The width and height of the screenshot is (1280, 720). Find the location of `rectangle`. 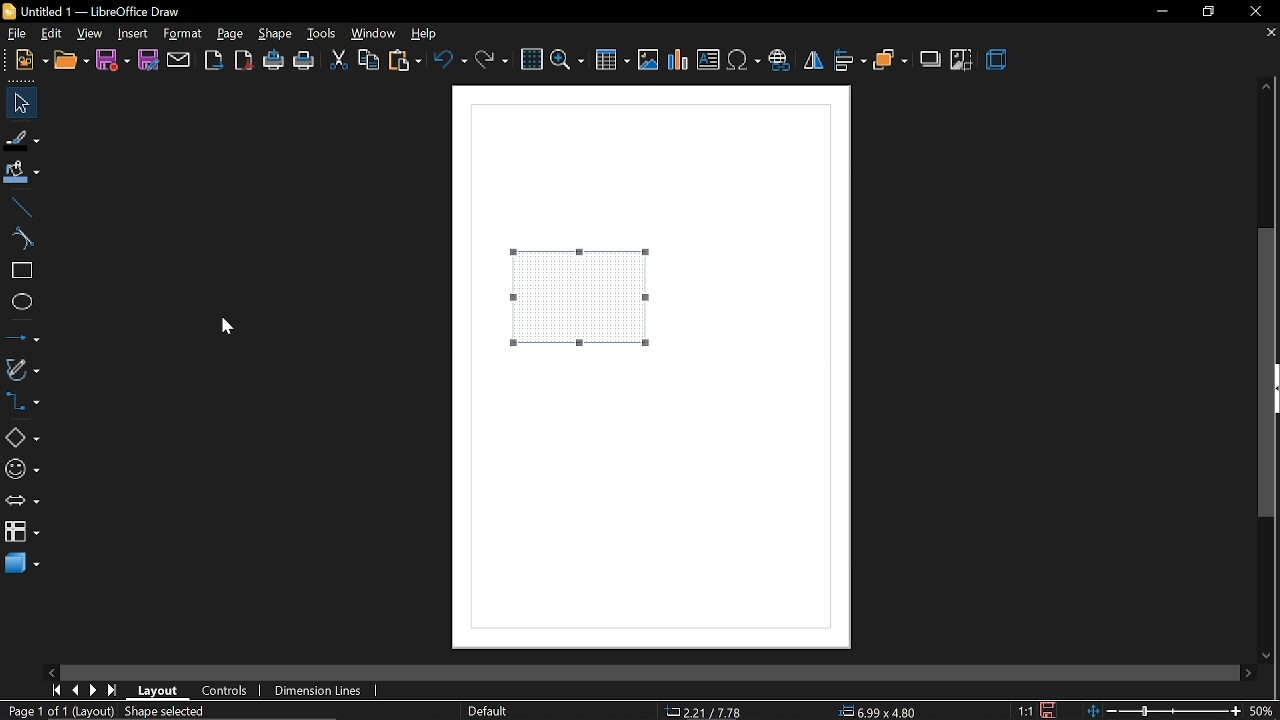

rectangle is located at coordinates (18, 270).